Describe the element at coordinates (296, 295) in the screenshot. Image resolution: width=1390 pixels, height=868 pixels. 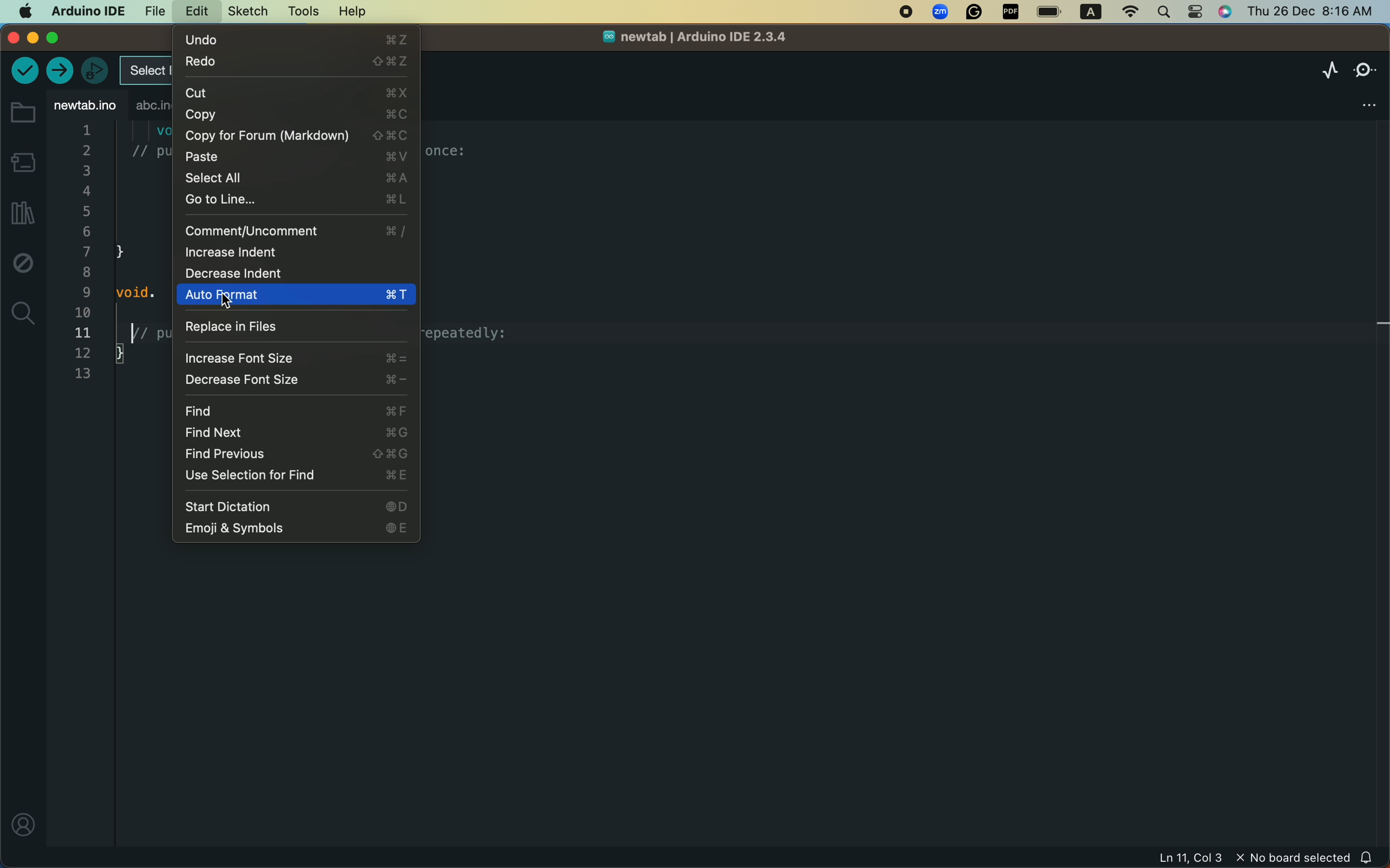
I see `auto format` at that location.